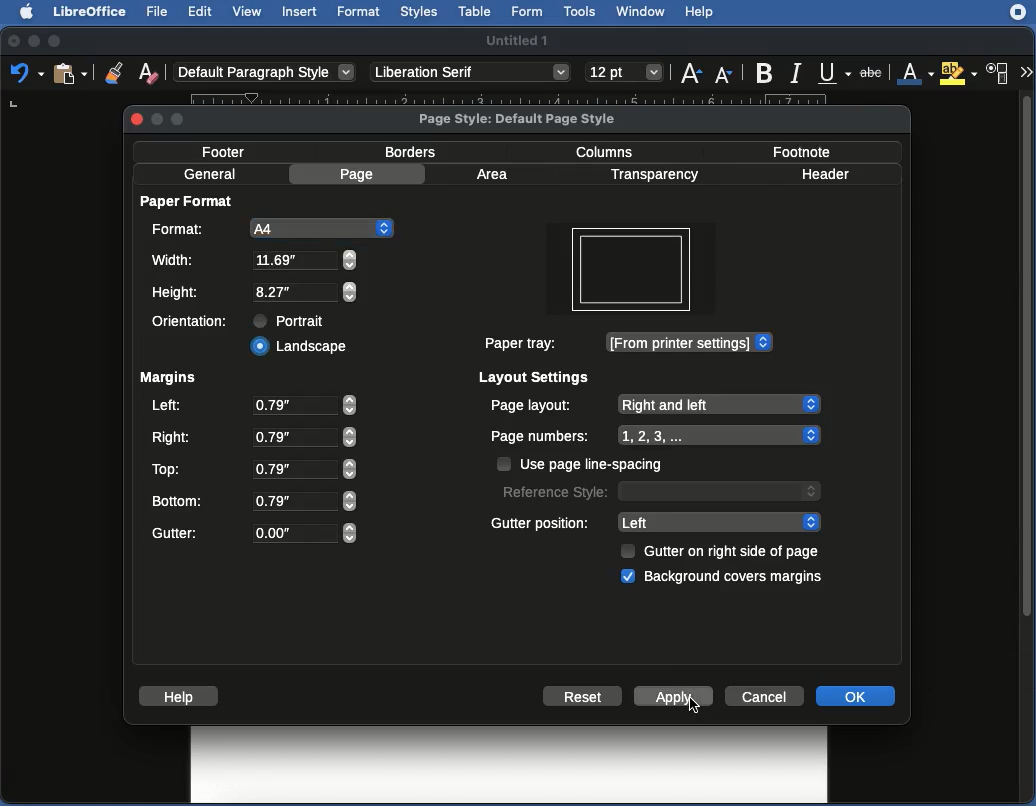 This screenshot has height=806, width=1036. I want to click on Clicked, so click(300, 347).